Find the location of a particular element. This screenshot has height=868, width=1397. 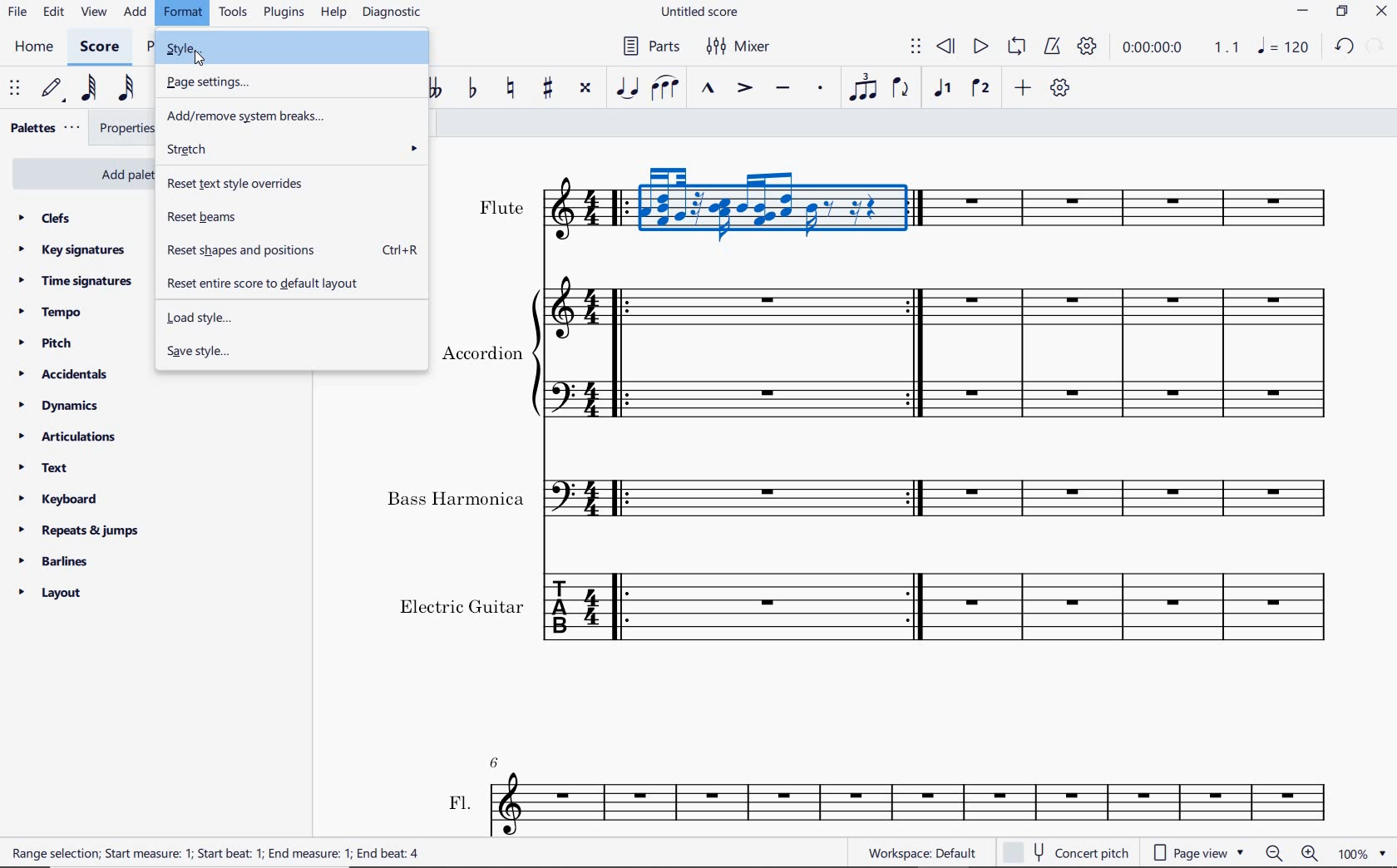

mixer is located at coordinates (747, 47).